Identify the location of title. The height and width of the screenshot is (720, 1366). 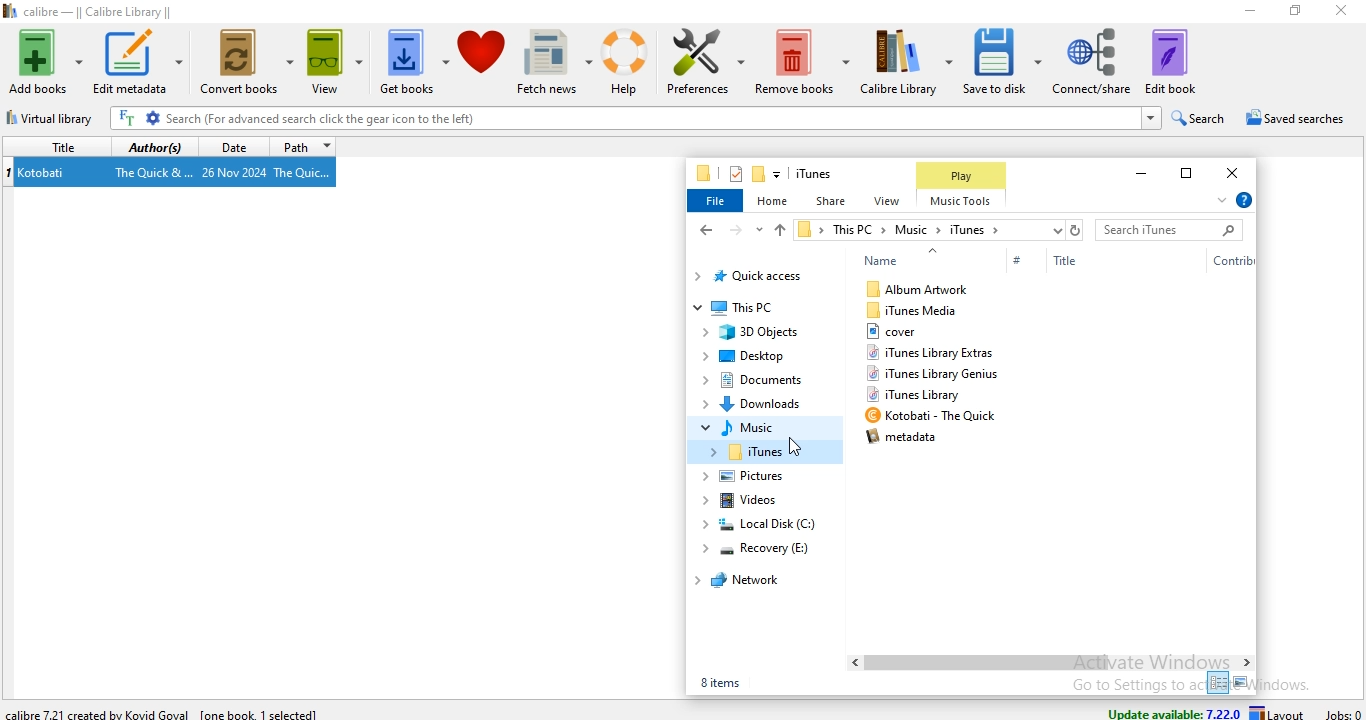
(55, 147).